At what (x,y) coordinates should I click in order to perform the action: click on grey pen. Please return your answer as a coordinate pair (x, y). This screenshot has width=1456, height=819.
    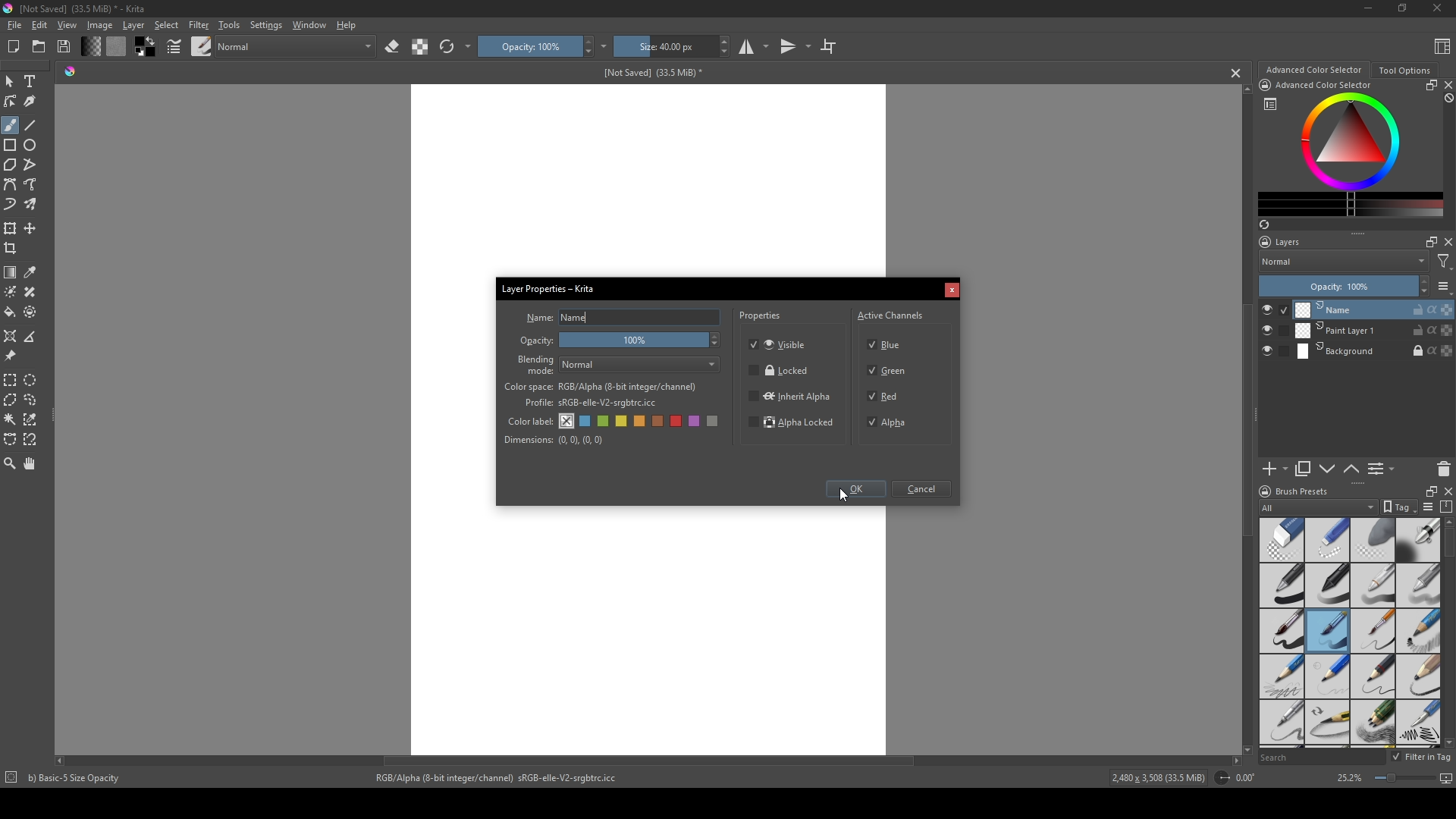
    Looking at the image, I should click on (1418, 585).